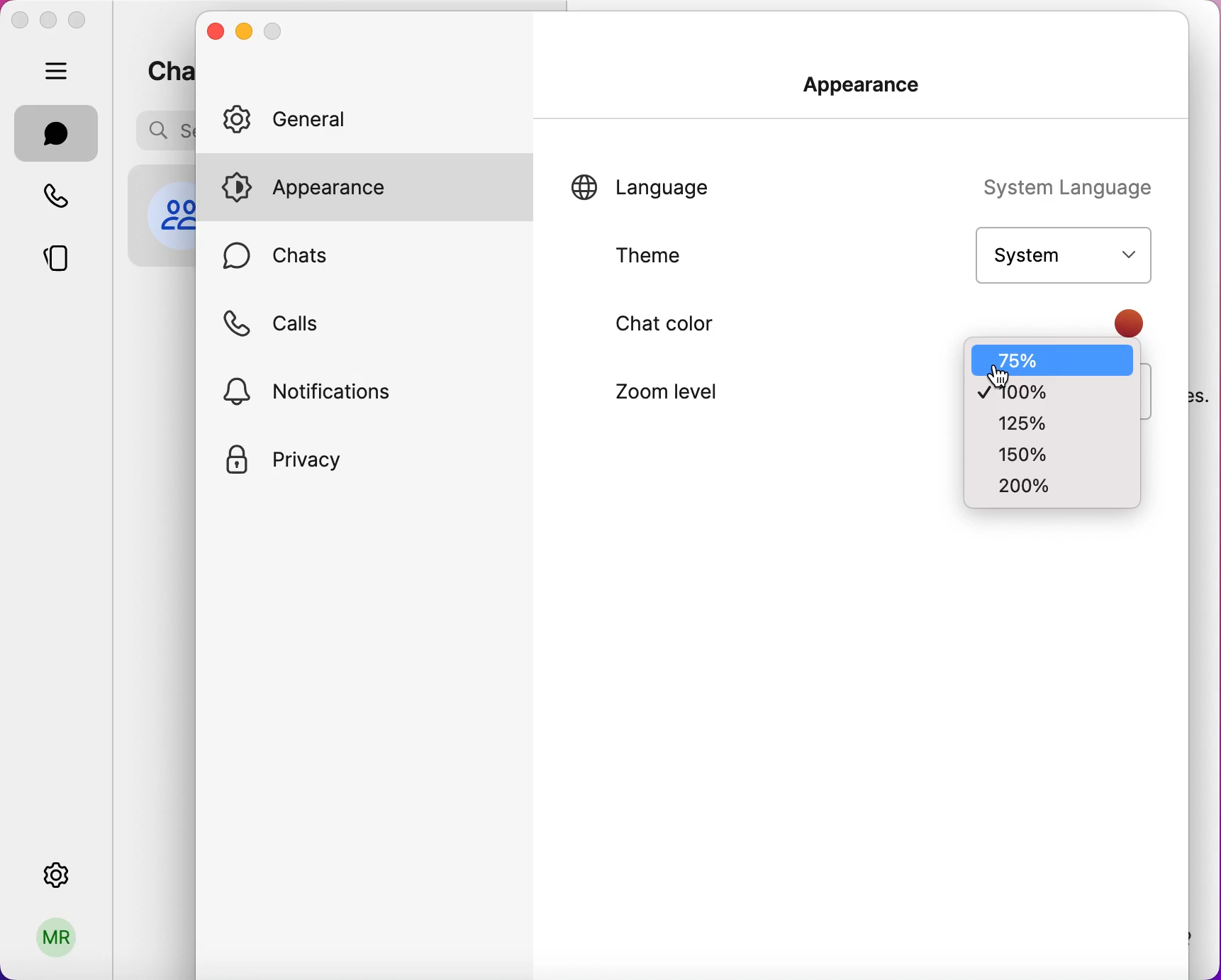 This screenshot has width=1221, height=980. What do you see at coordinates (49, 20) in the screenshot?
I see `minimize` at bounding box center [49, 20].